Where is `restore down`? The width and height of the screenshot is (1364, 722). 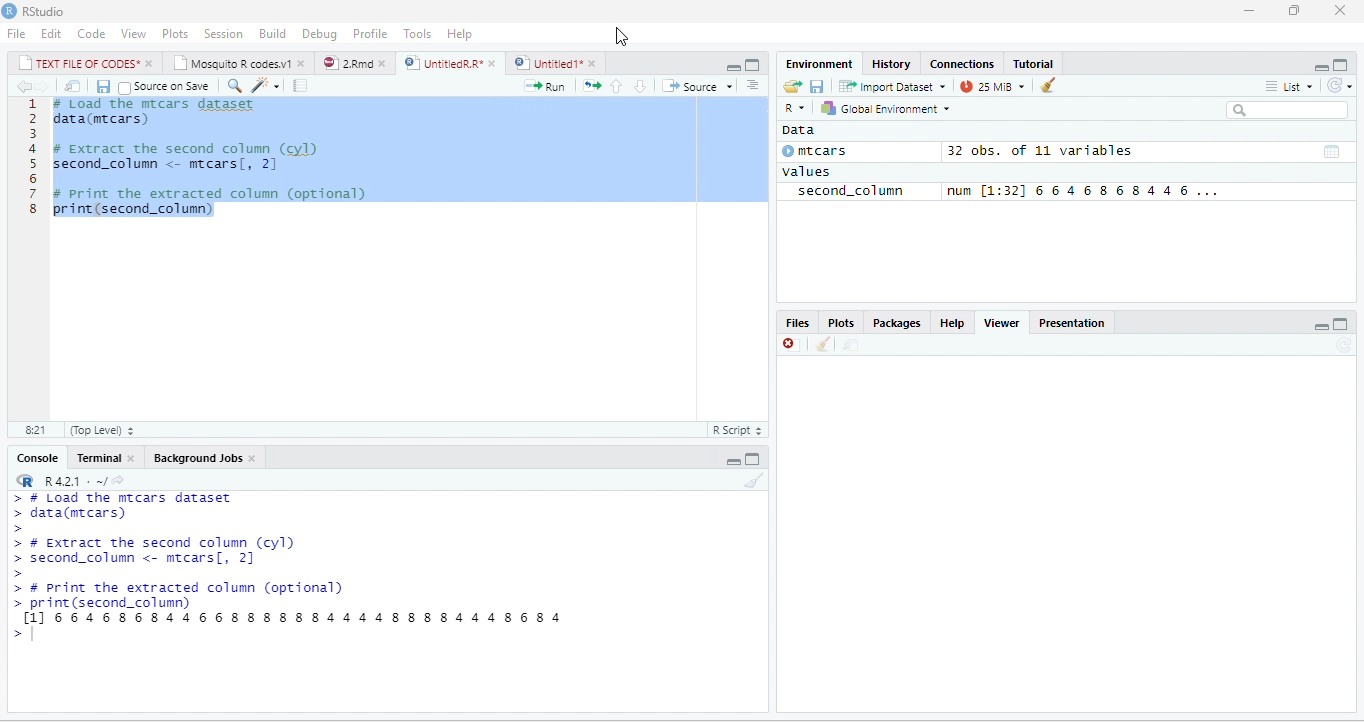
restore down is located at coordinates (1292, 12).